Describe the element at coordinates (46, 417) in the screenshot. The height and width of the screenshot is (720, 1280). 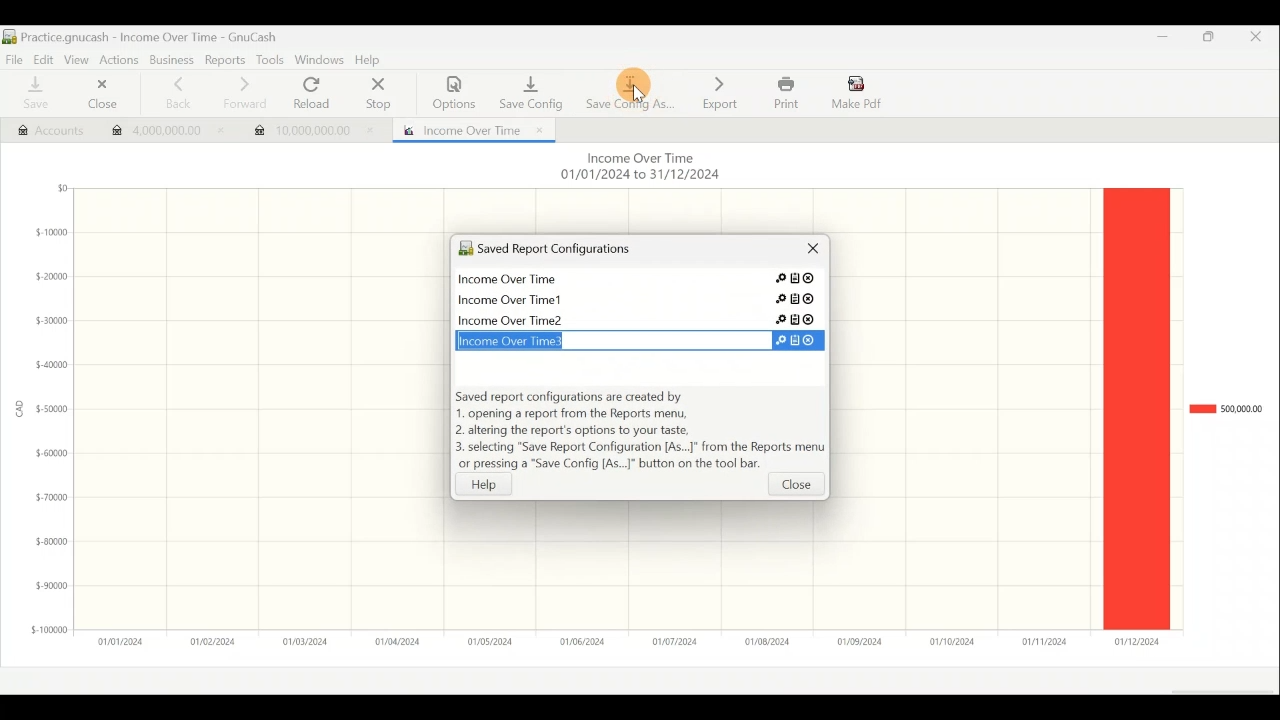
I see `y-axis (amount in CAD)` at that location.